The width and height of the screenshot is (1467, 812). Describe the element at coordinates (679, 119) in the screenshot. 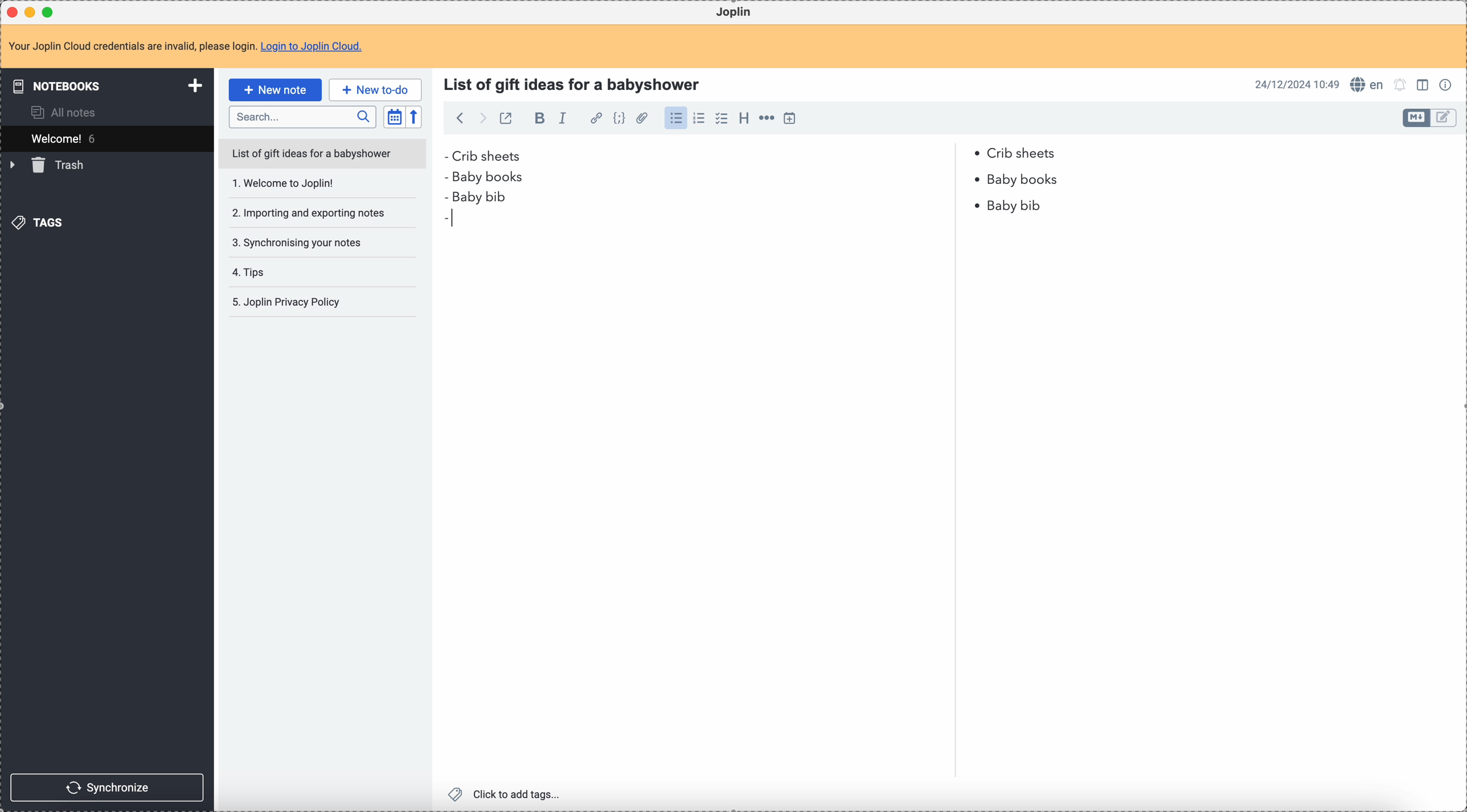

I see `click on bulleted list` at that location.